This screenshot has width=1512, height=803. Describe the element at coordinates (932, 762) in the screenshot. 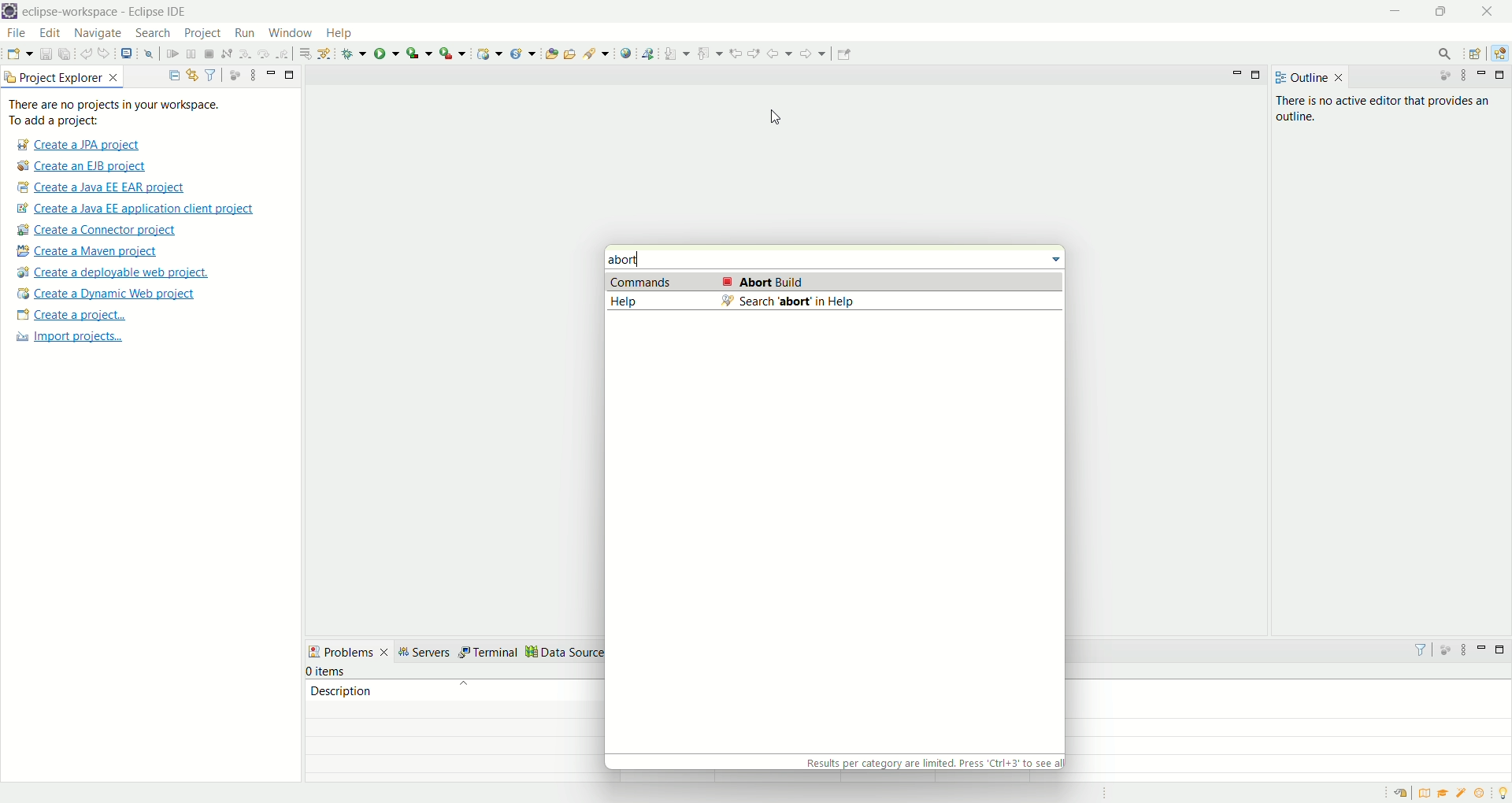

I see `text` at that location.